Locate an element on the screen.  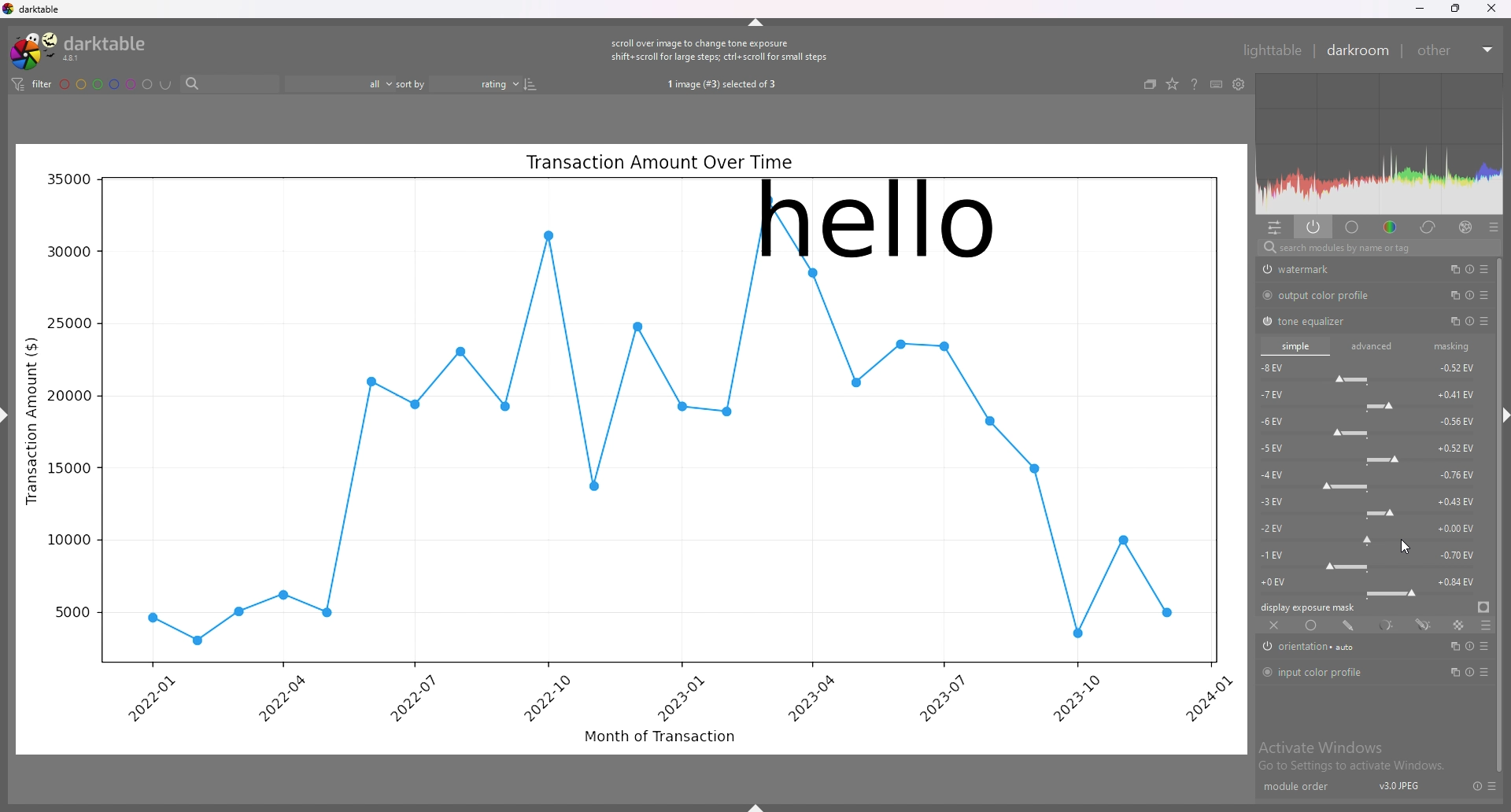
10000 is located at coordinates (66, 540).